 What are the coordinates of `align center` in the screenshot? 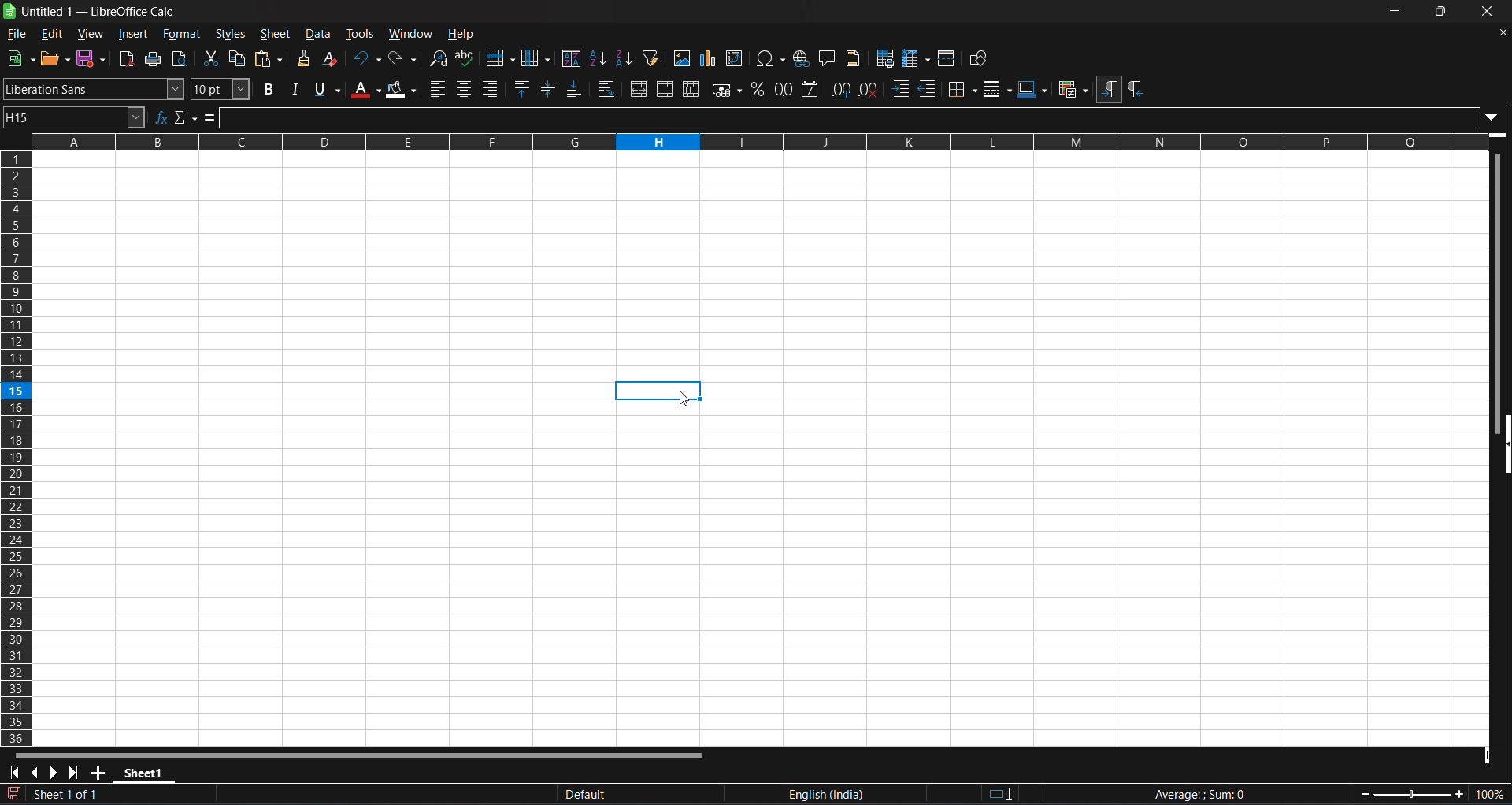 It's located at (464, 89).